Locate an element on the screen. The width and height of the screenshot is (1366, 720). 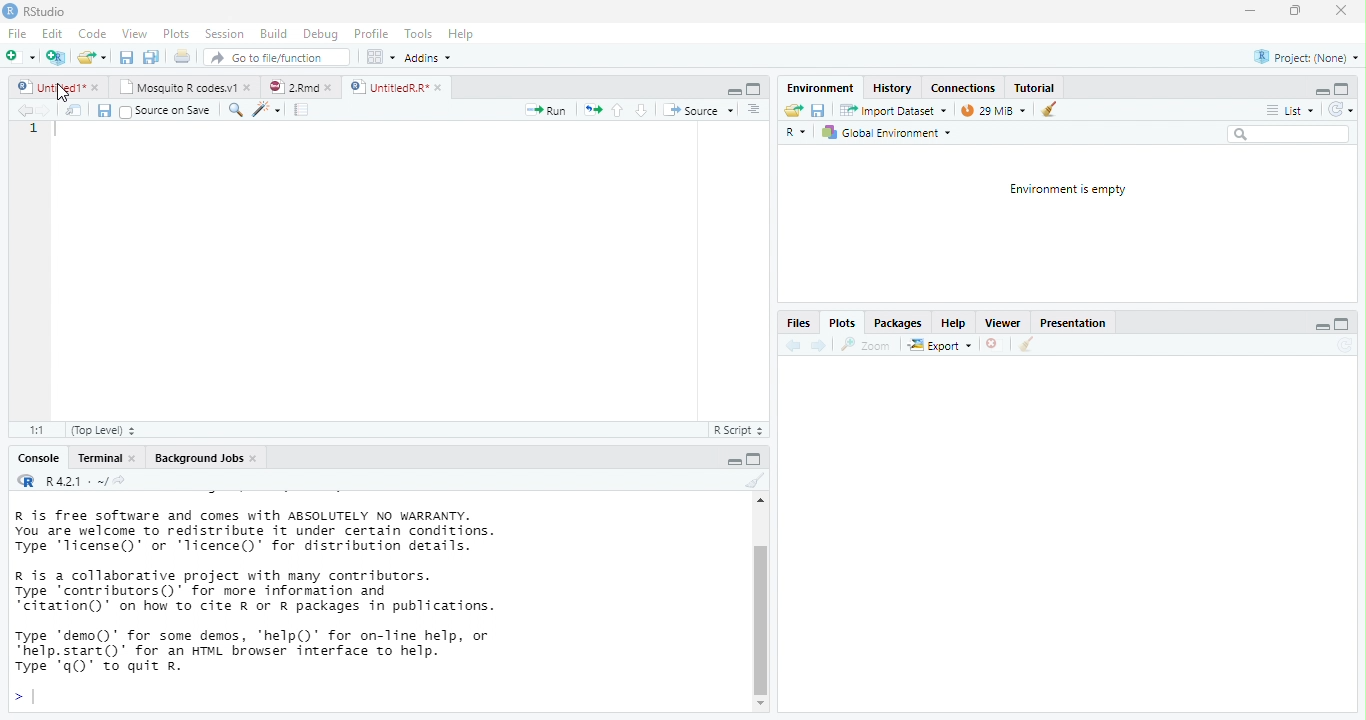
Background Jobs is located at coordinates (197, 458).